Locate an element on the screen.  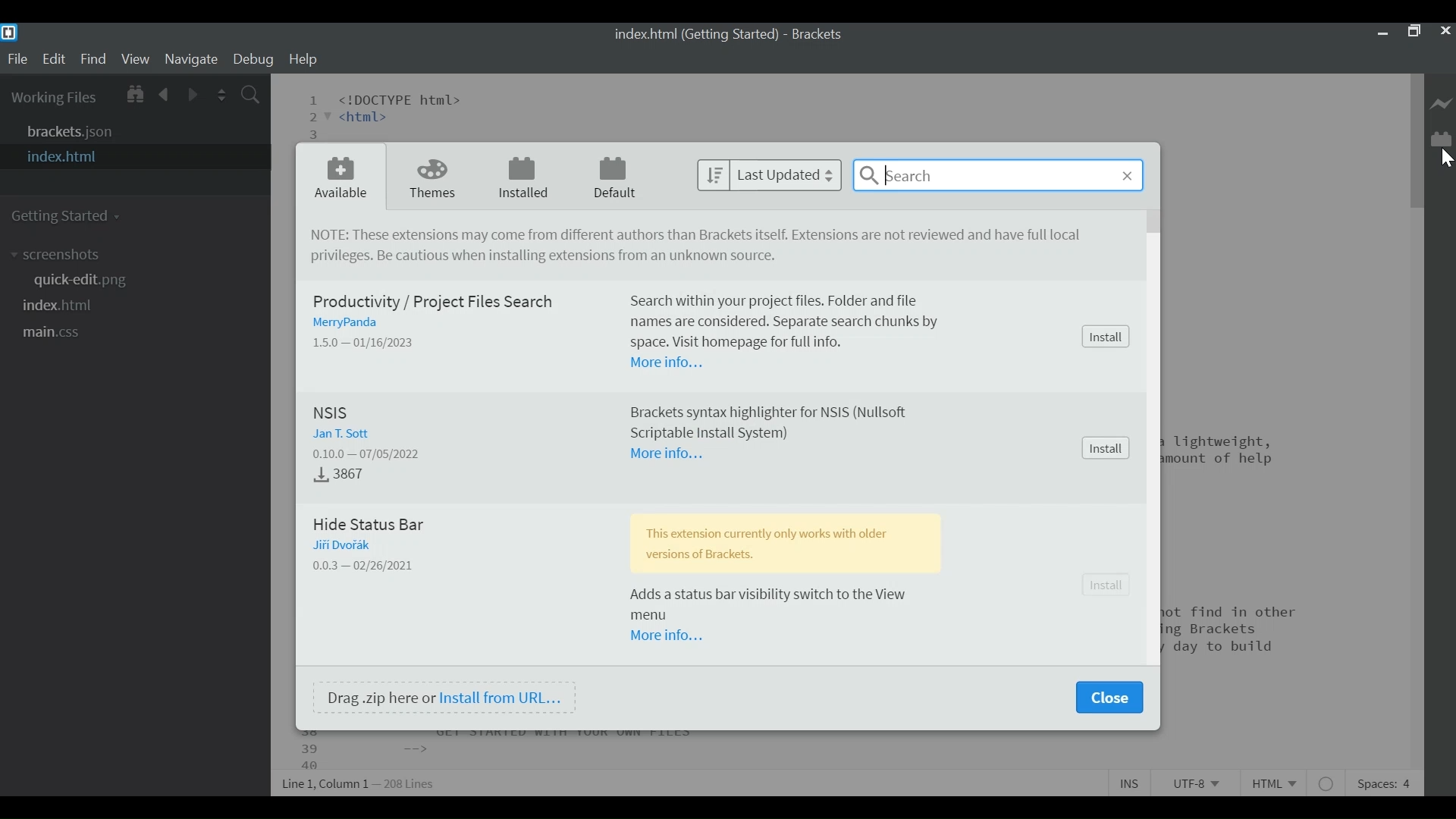
NOTE: These Extensions may come from different authors than brackets itself. Extensions are not reviewed and have not full privileges is located at coordinates (701, 236).